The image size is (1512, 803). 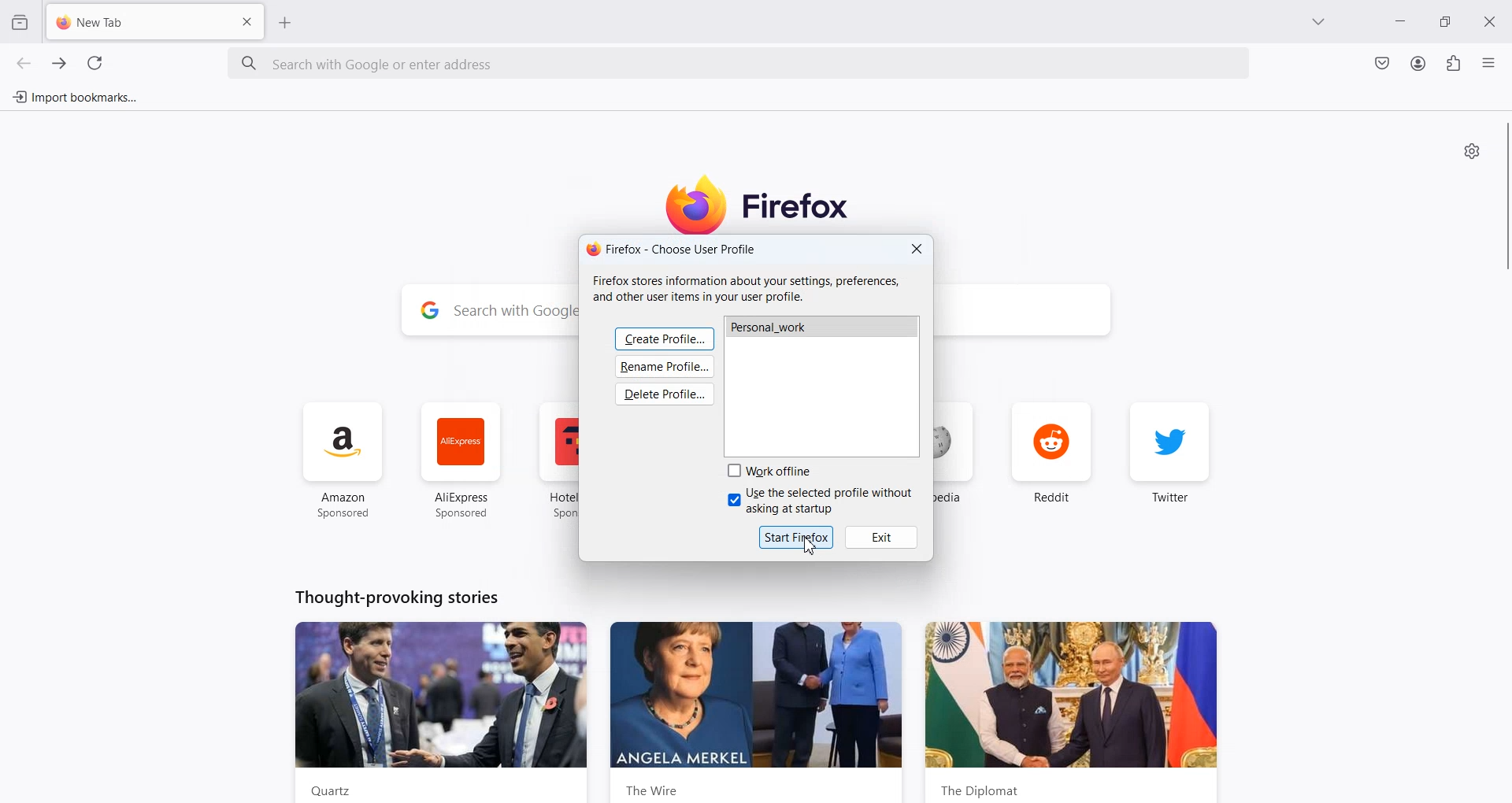 I want to click on Wikipedia, so click(x=958, y=462).